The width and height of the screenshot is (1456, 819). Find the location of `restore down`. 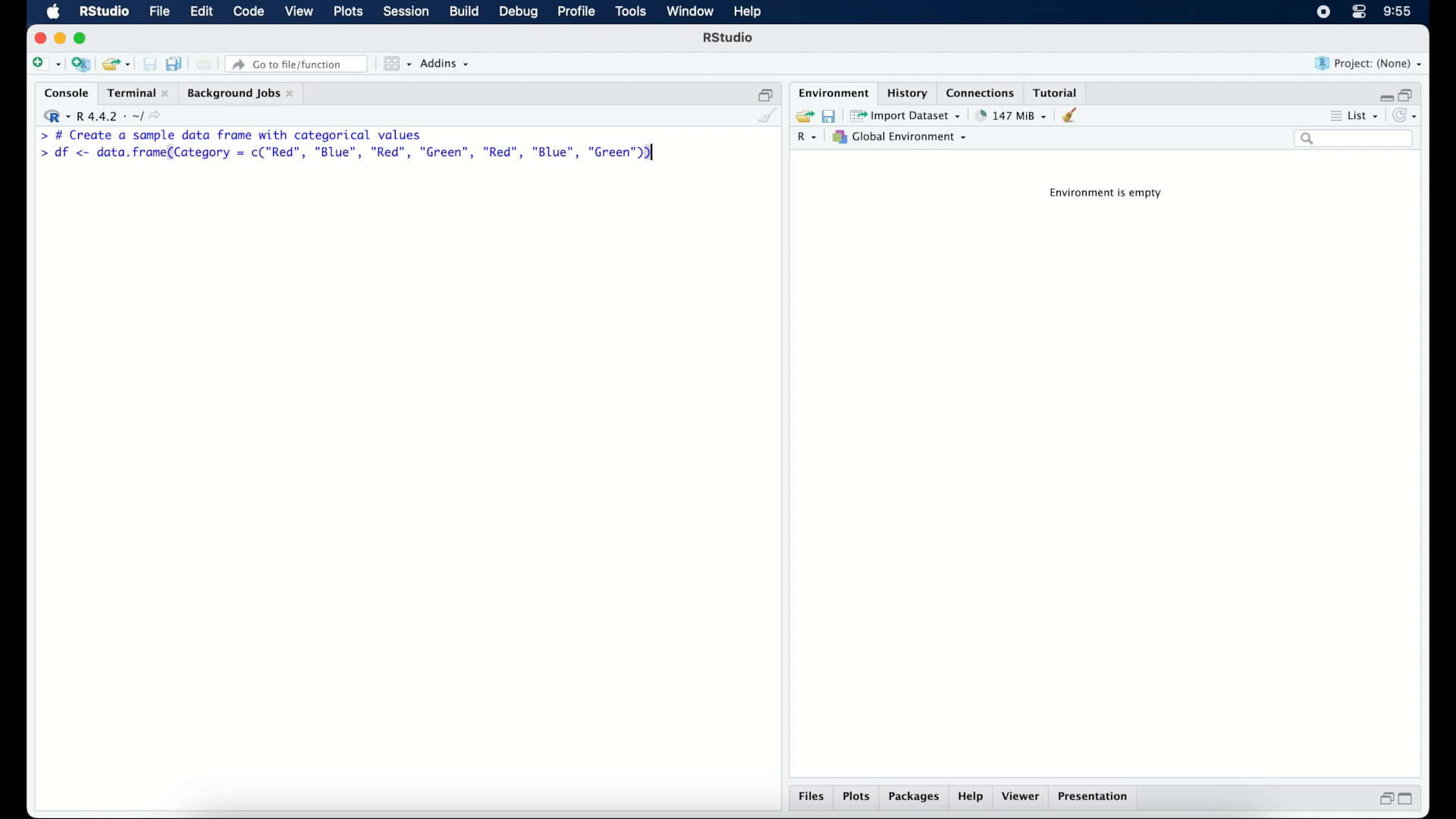

restore down is located at coordinates (1384, 799).